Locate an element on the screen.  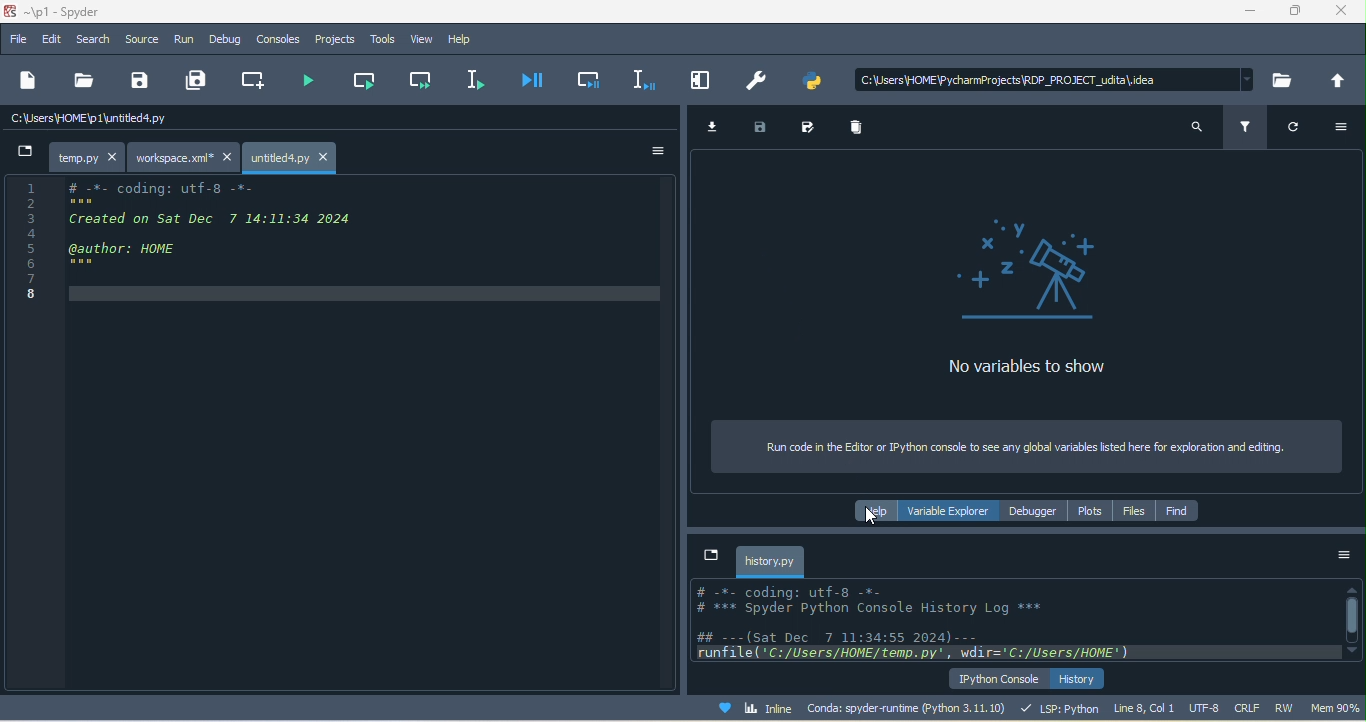
open is located at coordinates (80, 82).